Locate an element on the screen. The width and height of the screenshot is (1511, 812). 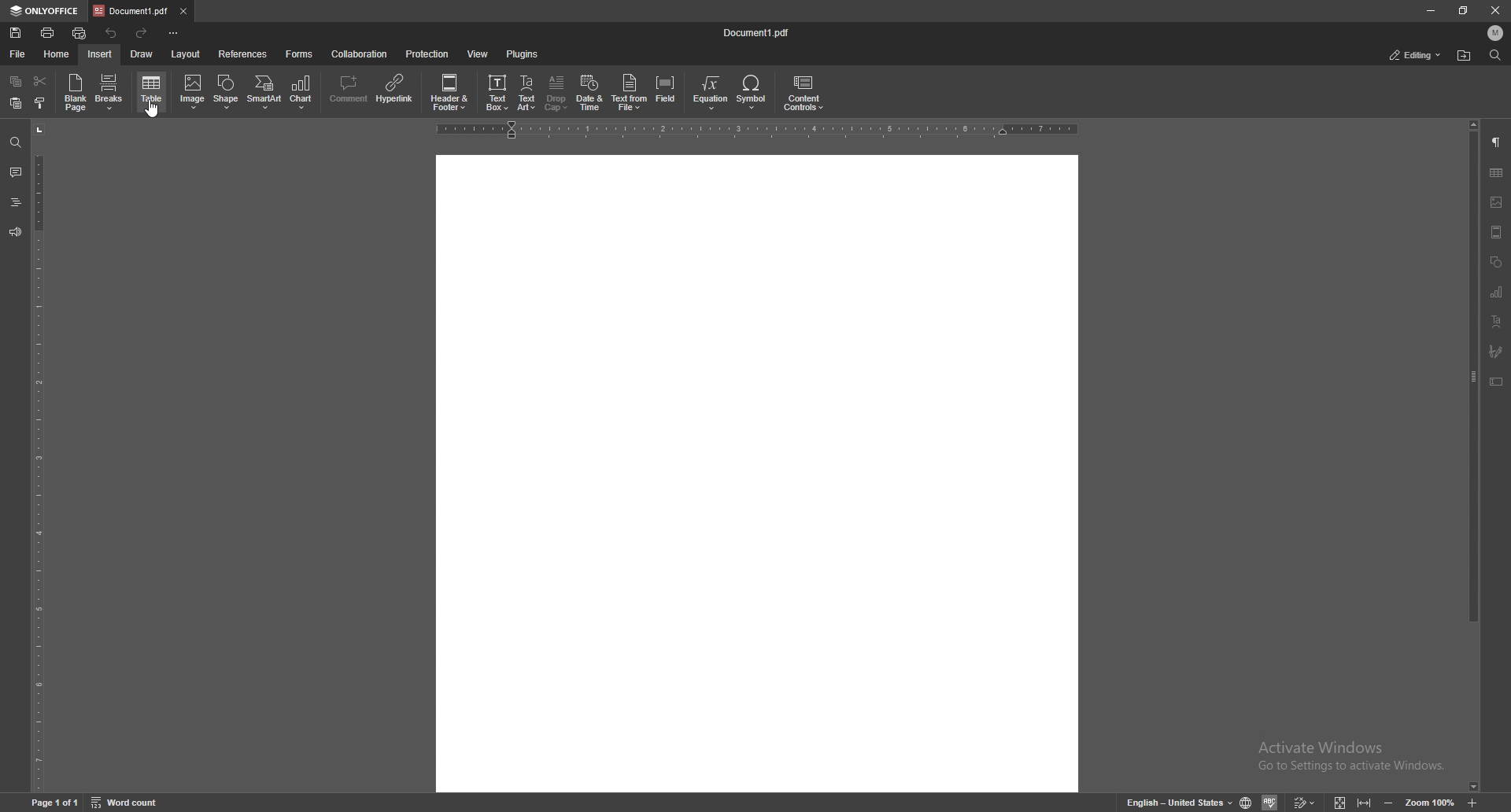
tab is located at coordinates (131, 10).